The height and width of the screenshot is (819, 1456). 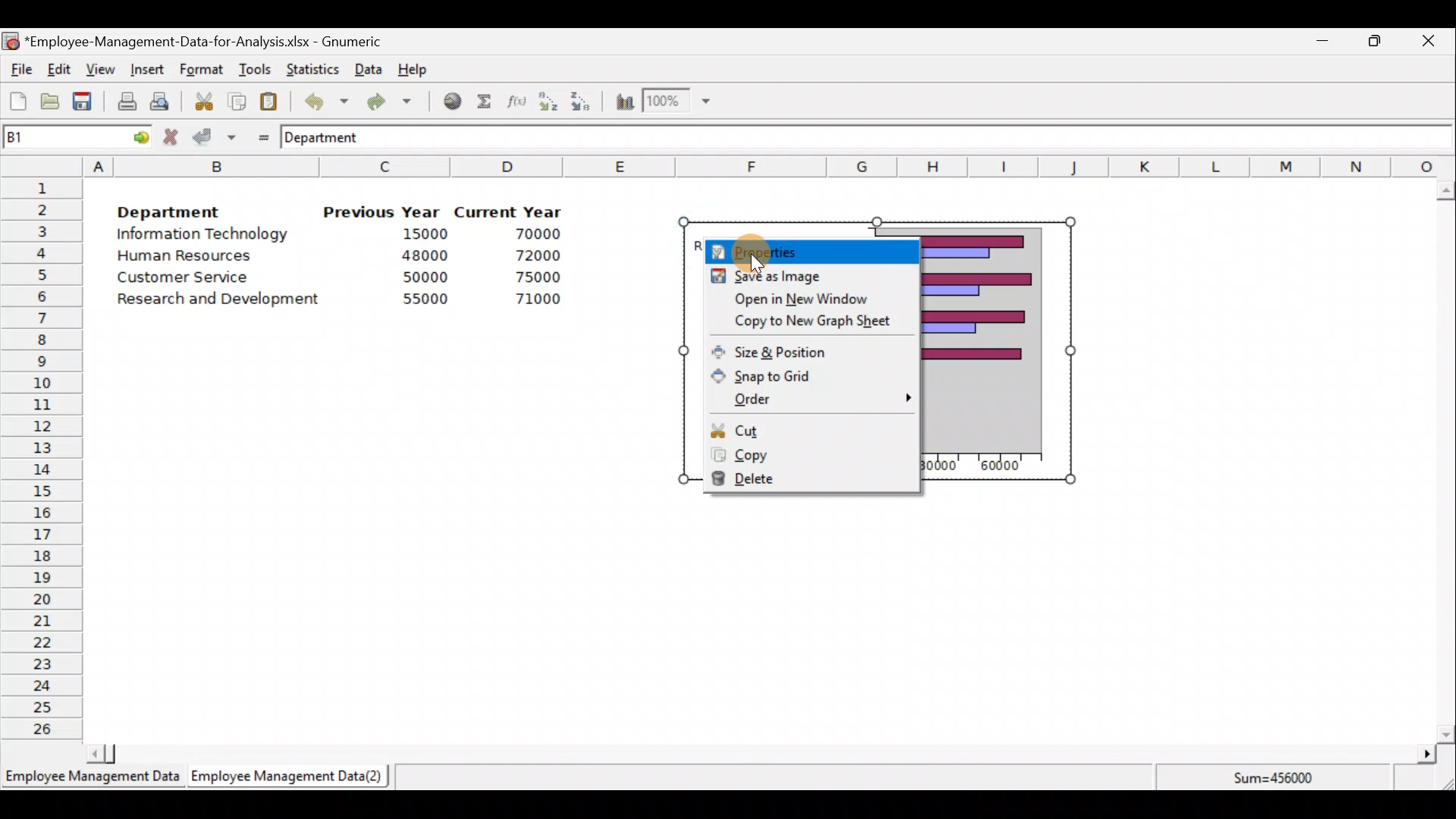 I want to click on Sum into the current cell, so click(x=482, y=101).